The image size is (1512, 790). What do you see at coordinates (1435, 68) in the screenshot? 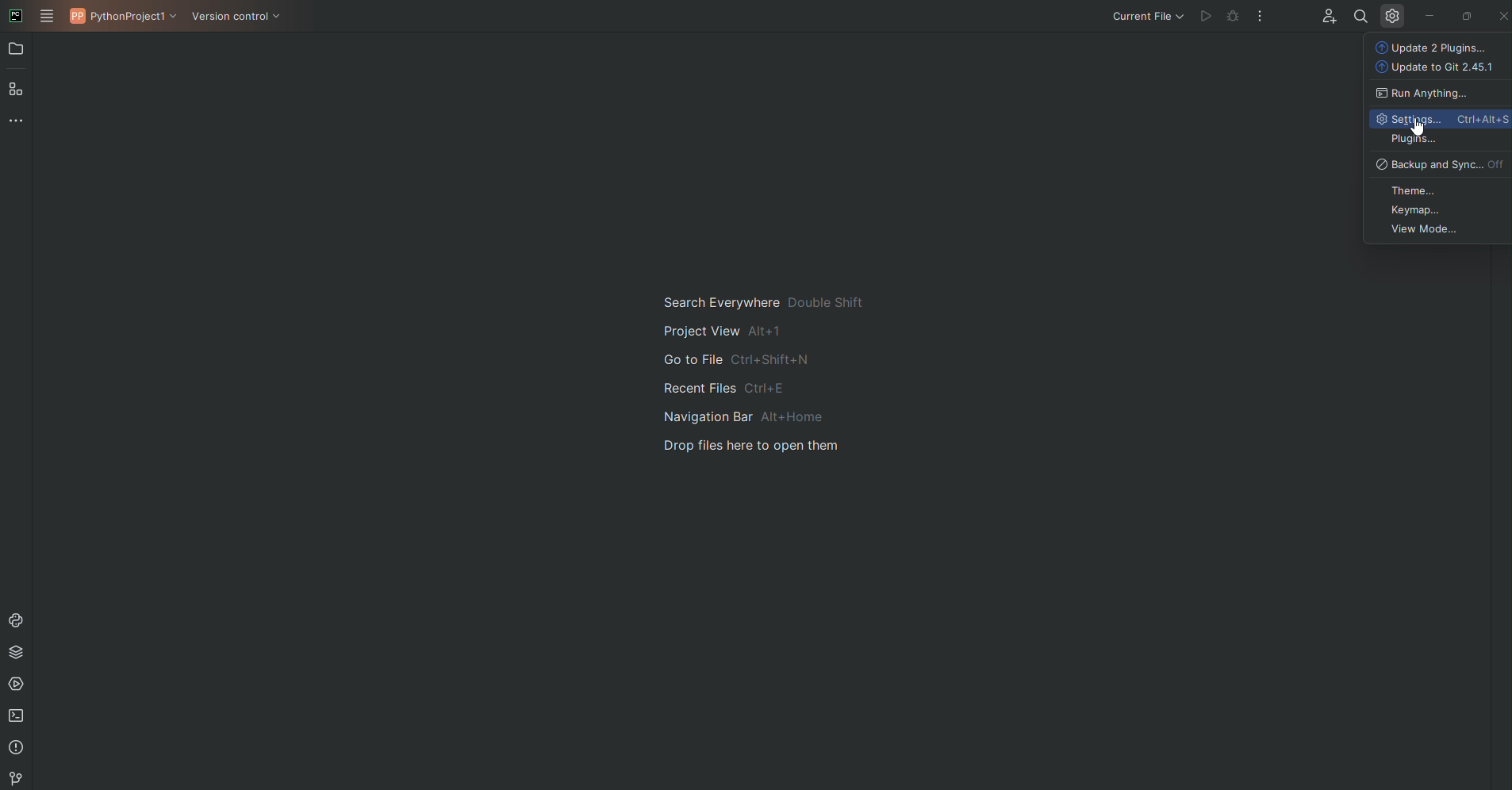
I see `Update to Git` at bounding box center [1435, 68].